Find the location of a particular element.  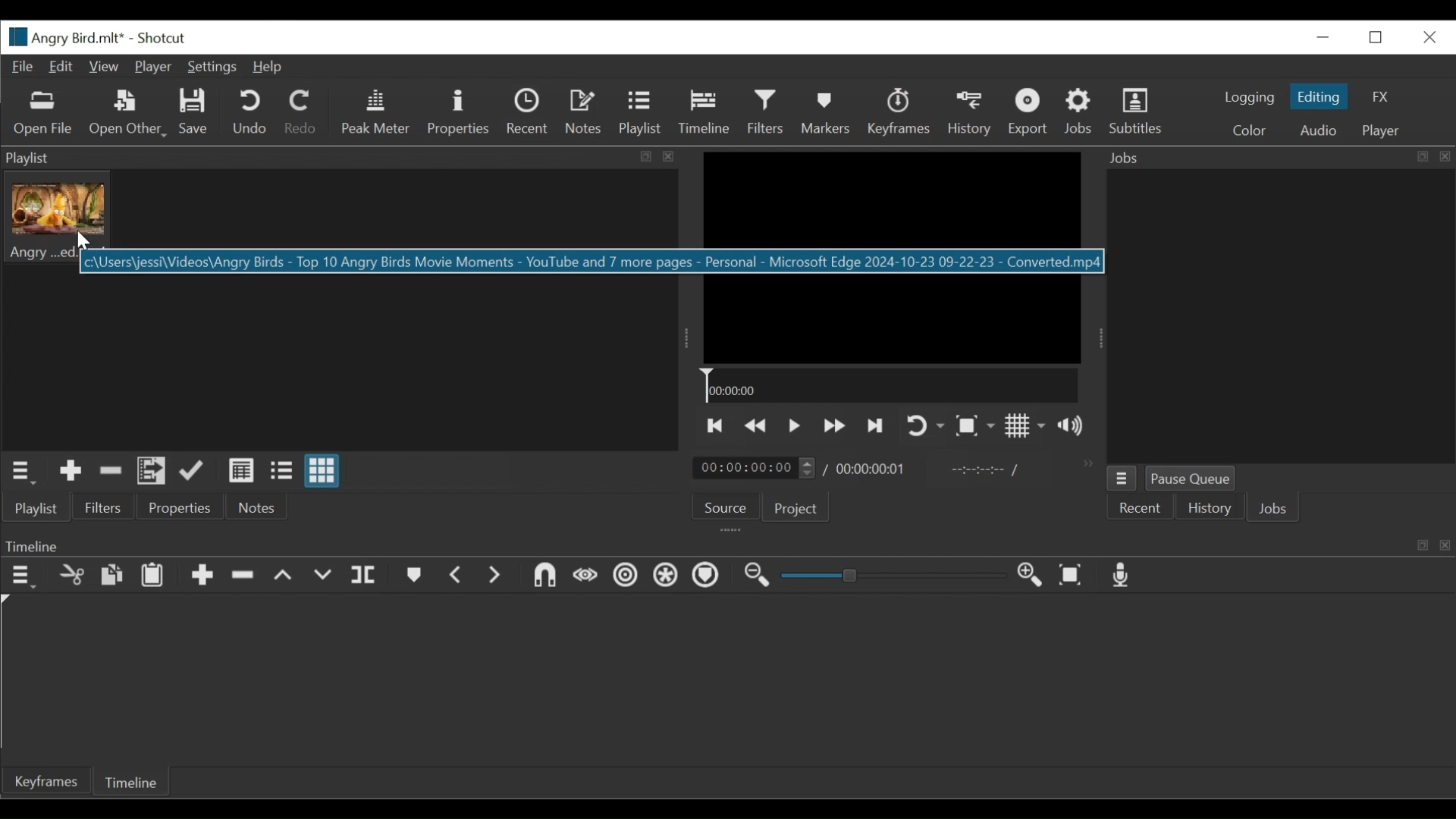

copy is located at coordinates (109, 574).